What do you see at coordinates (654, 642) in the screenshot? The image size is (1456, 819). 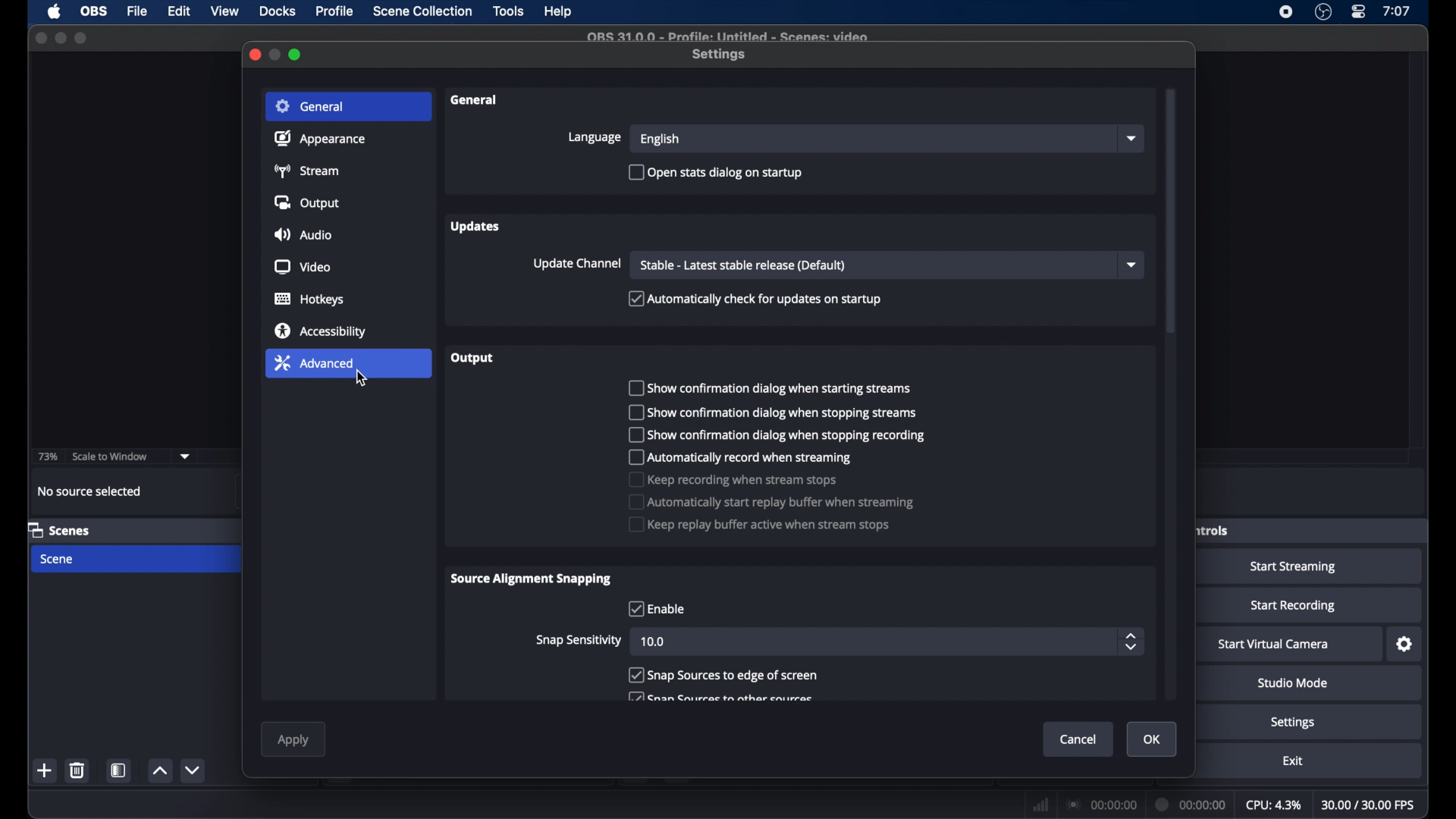 I see `10.0` at bounding box center [654, 642].